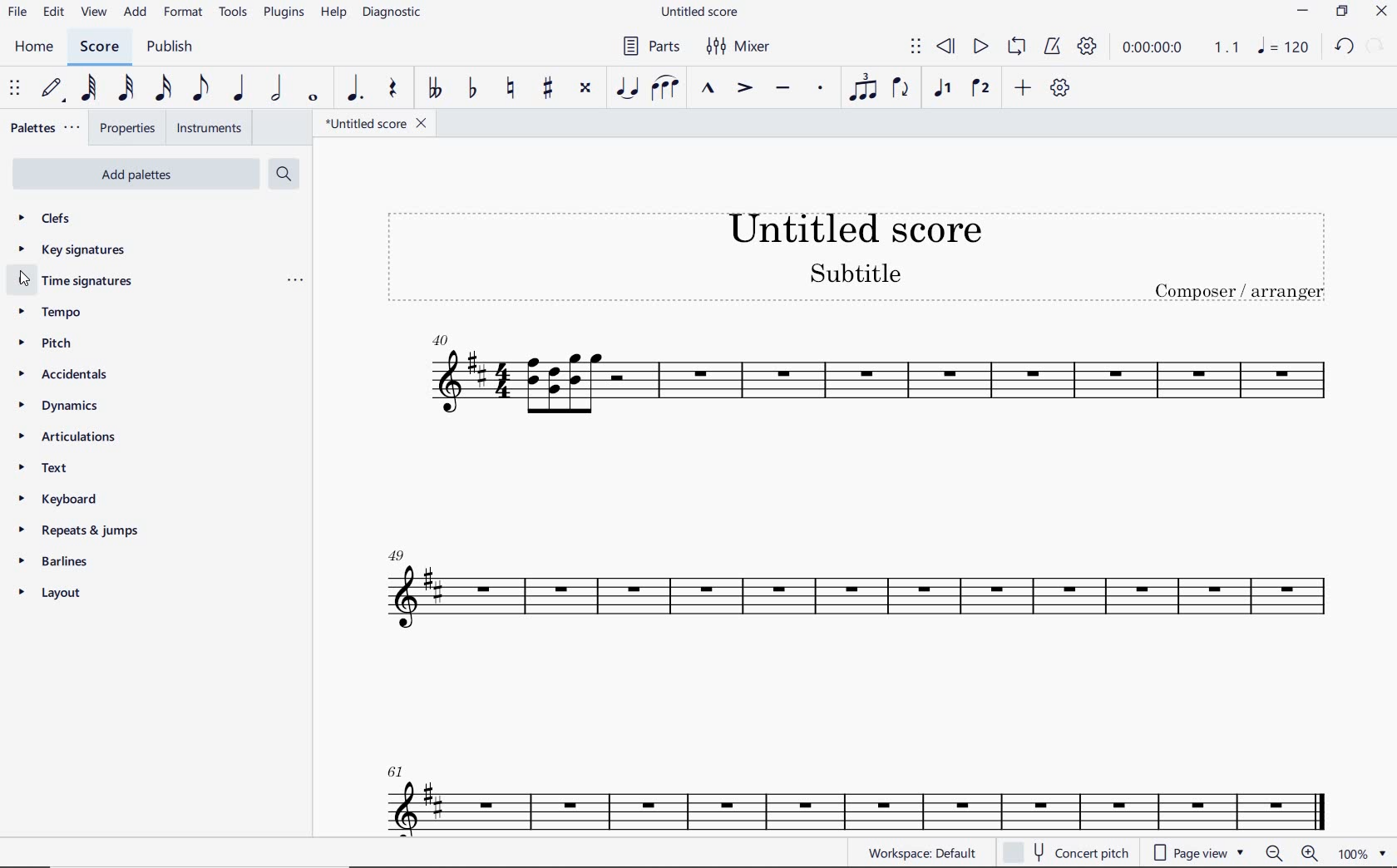 Image resolution: width=1397 pixels, height=868 pixels. What do you see at coordinates (294, 284) in the screenshot?
I see `Palette Properties` at bounding box center [294, 284].